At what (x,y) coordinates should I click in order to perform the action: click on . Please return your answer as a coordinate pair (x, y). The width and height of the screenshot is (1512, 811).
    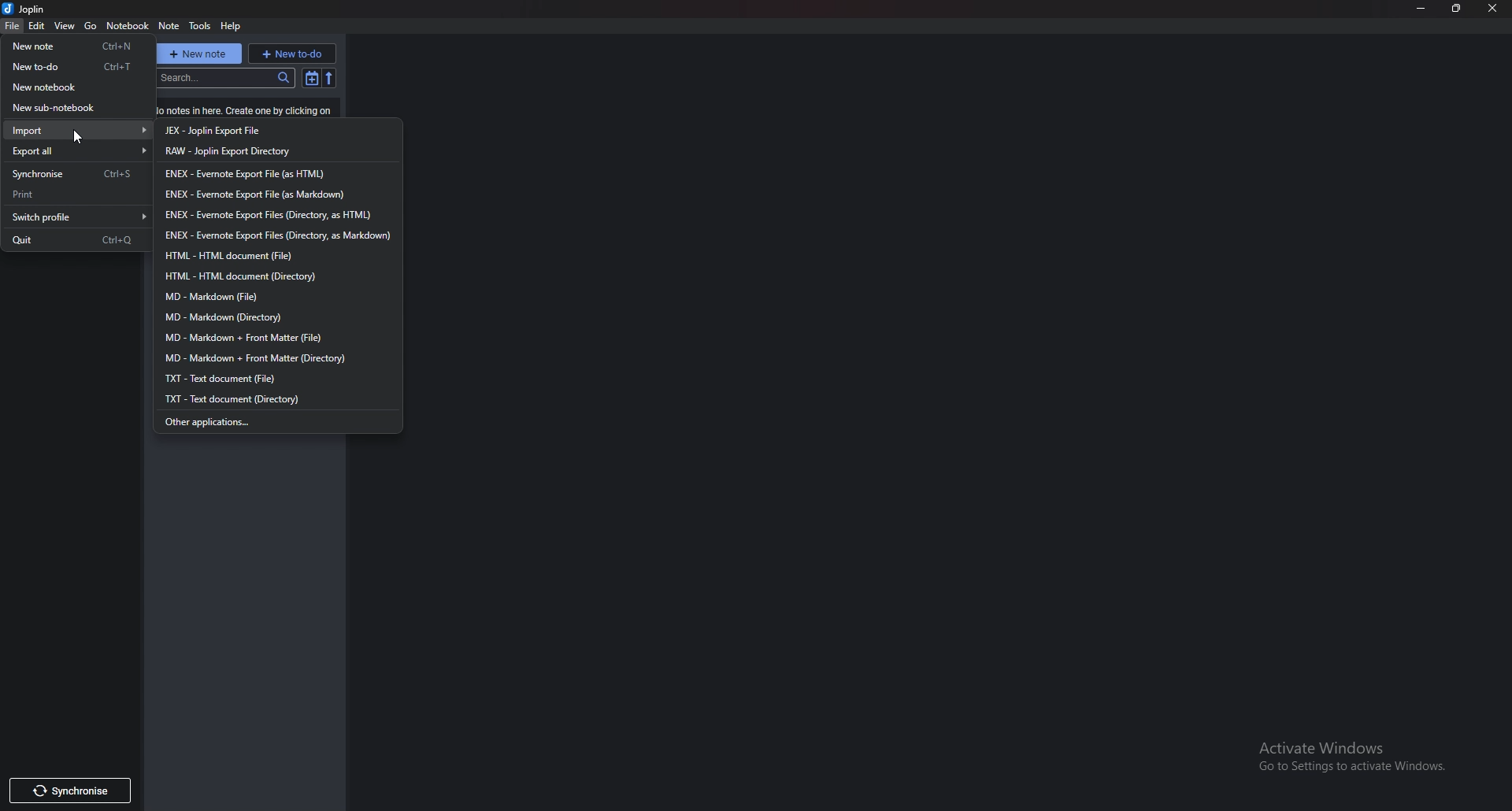
    Looking at the image, I should click on (1364, 750).